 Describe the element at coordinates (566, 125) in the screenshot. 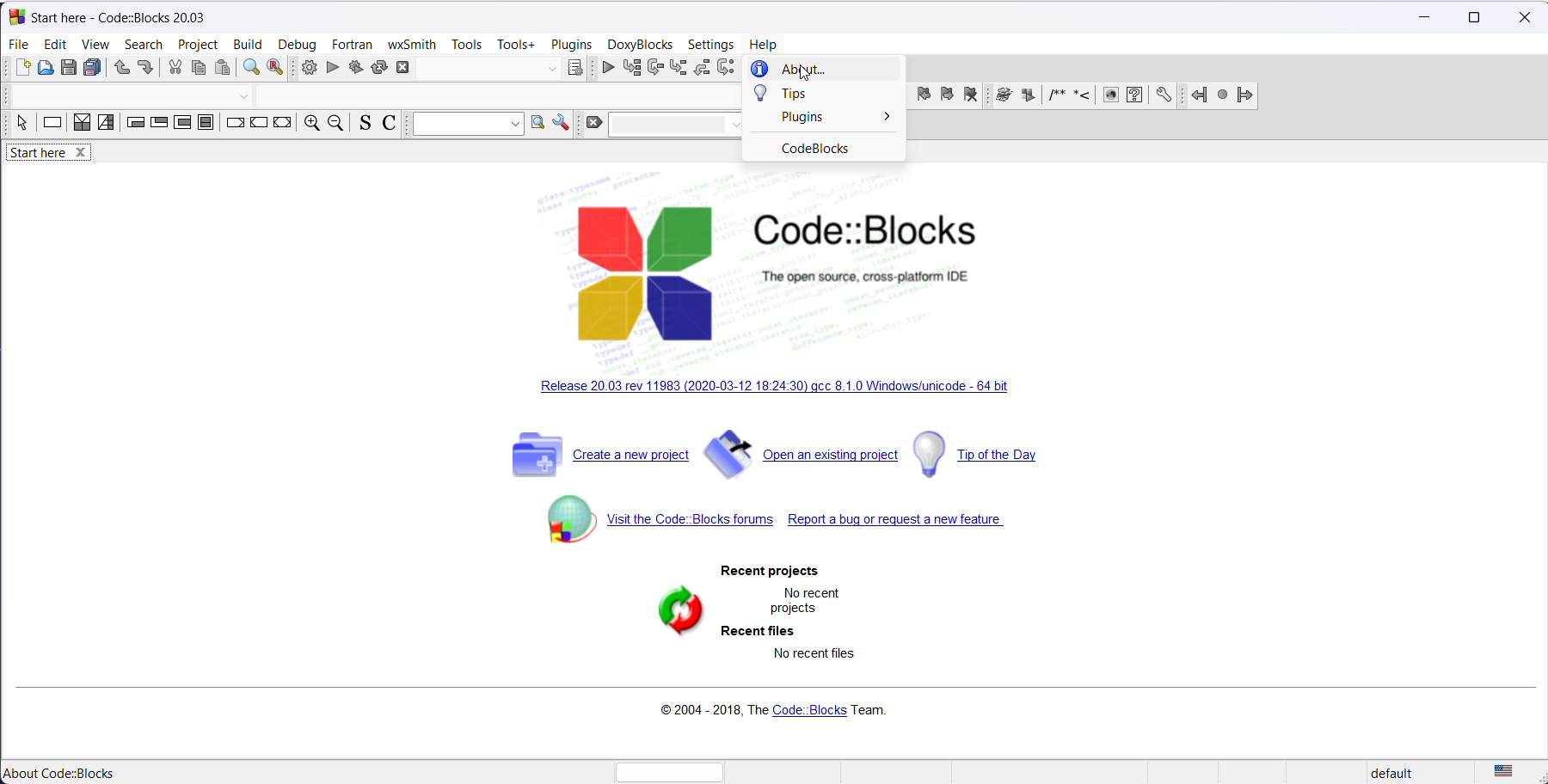

I see `settings` at that location.